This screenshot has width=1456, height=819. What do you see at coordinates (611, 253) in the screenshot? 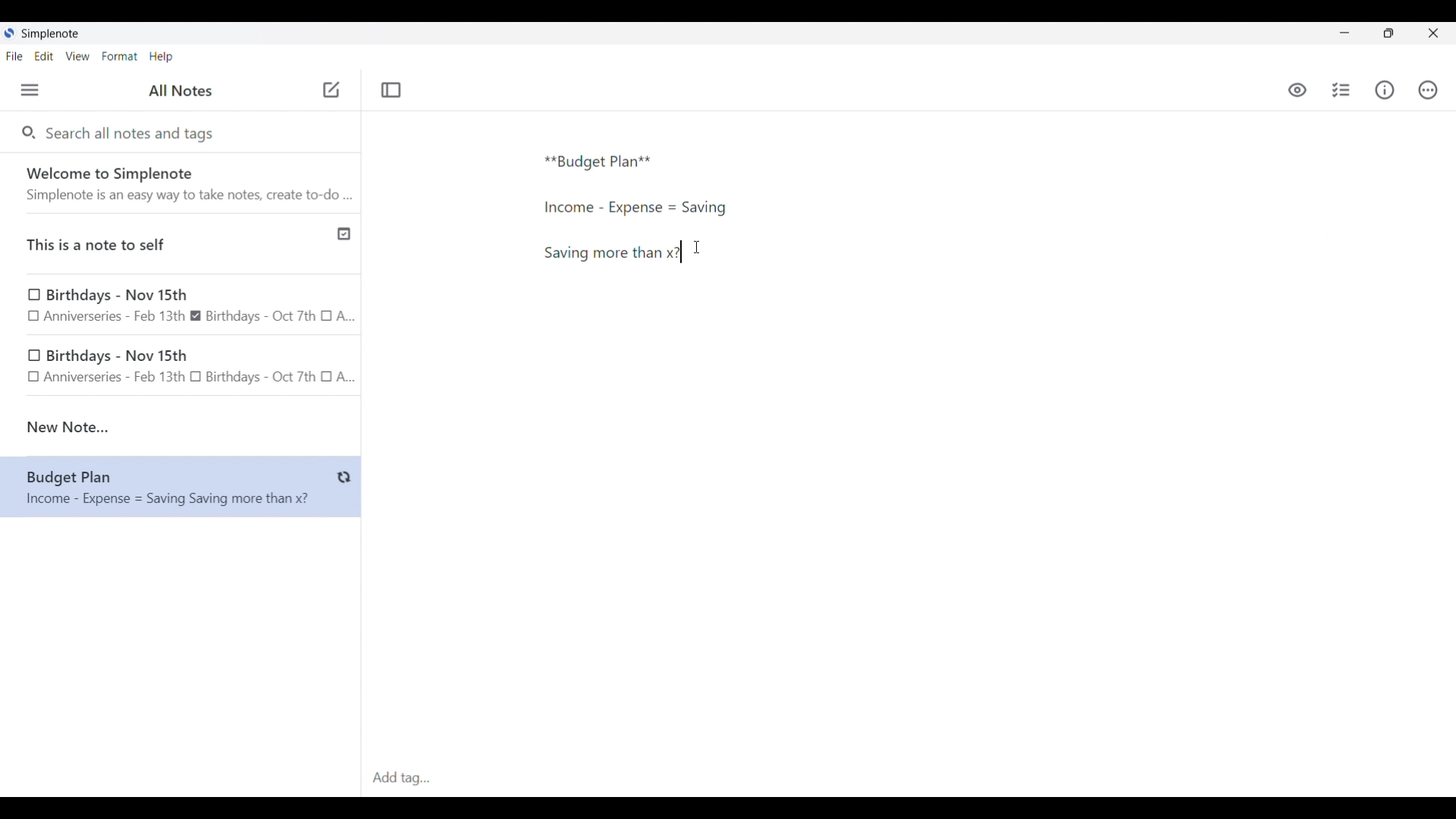
I see `More text typed in` at bounding box center [611, 253].